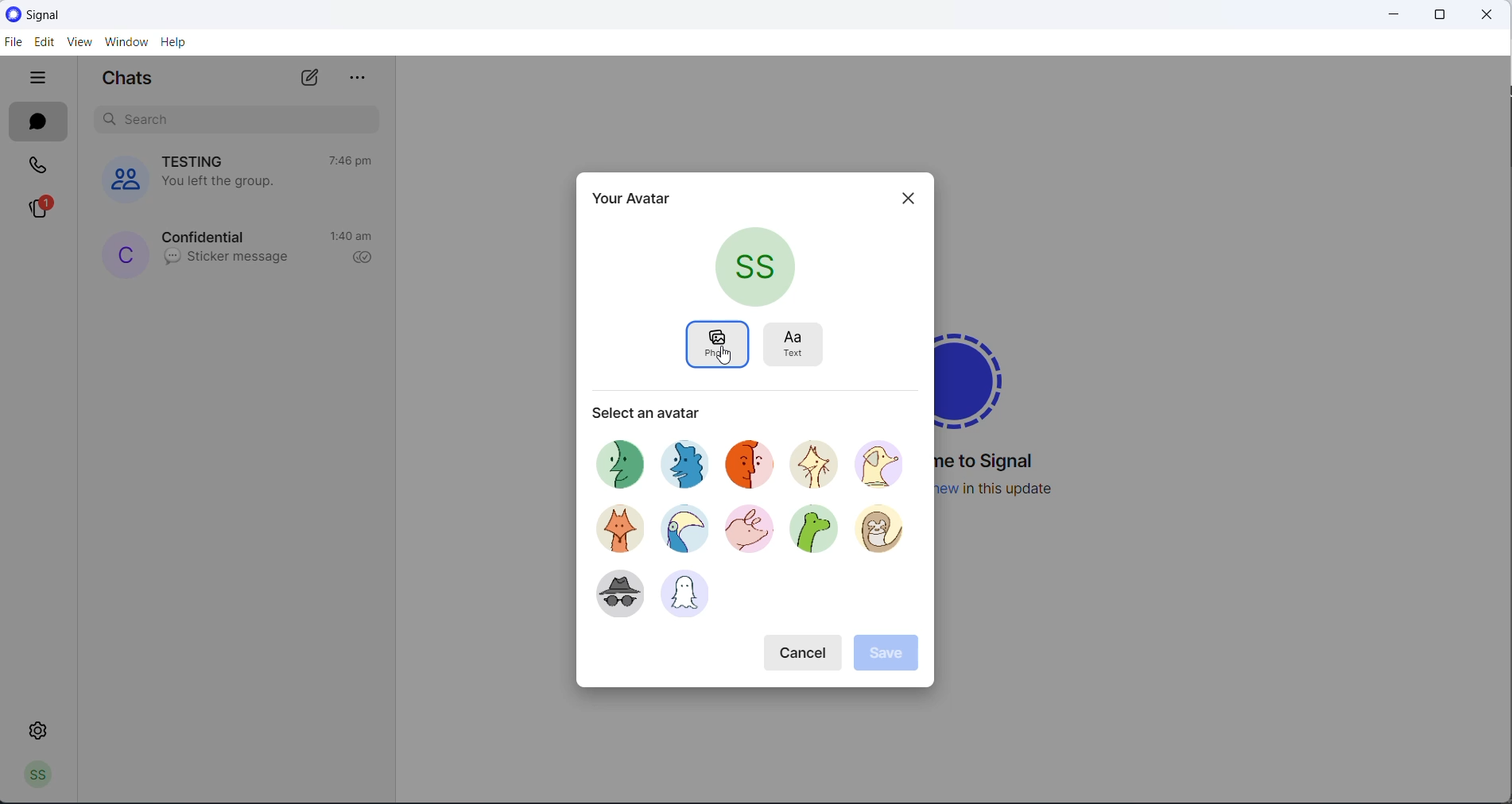 The height and width of the screenshot is (804, 1512). What do you see at coordinates (33, 778) in the screenshot?
I see `profile` at bounding box center [33, 778].